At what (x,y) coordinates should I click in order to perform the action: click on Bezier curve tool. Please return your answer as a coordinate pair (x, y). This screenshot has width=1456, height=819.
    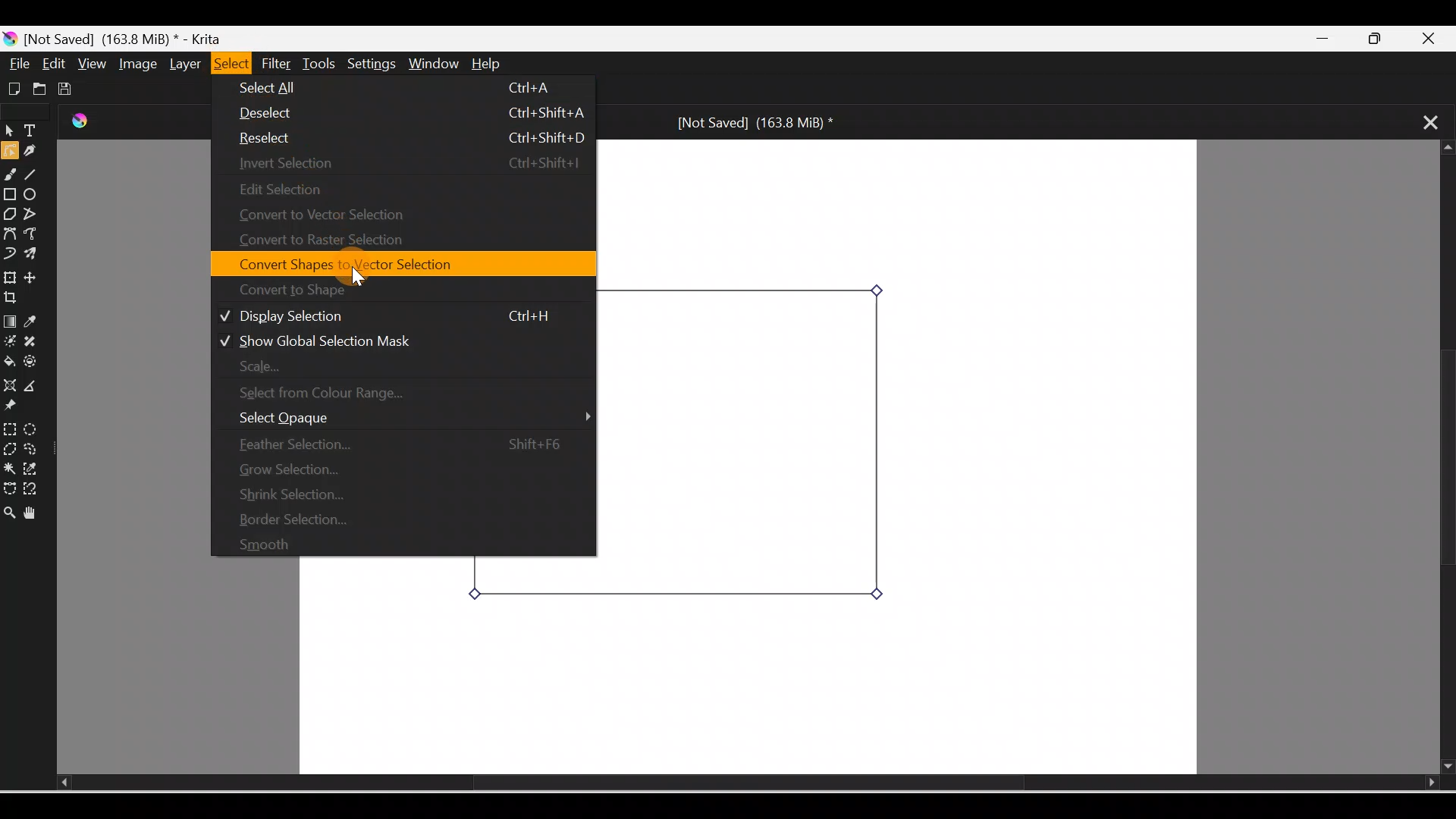
    Looking at the image, I should click on (11, 233).